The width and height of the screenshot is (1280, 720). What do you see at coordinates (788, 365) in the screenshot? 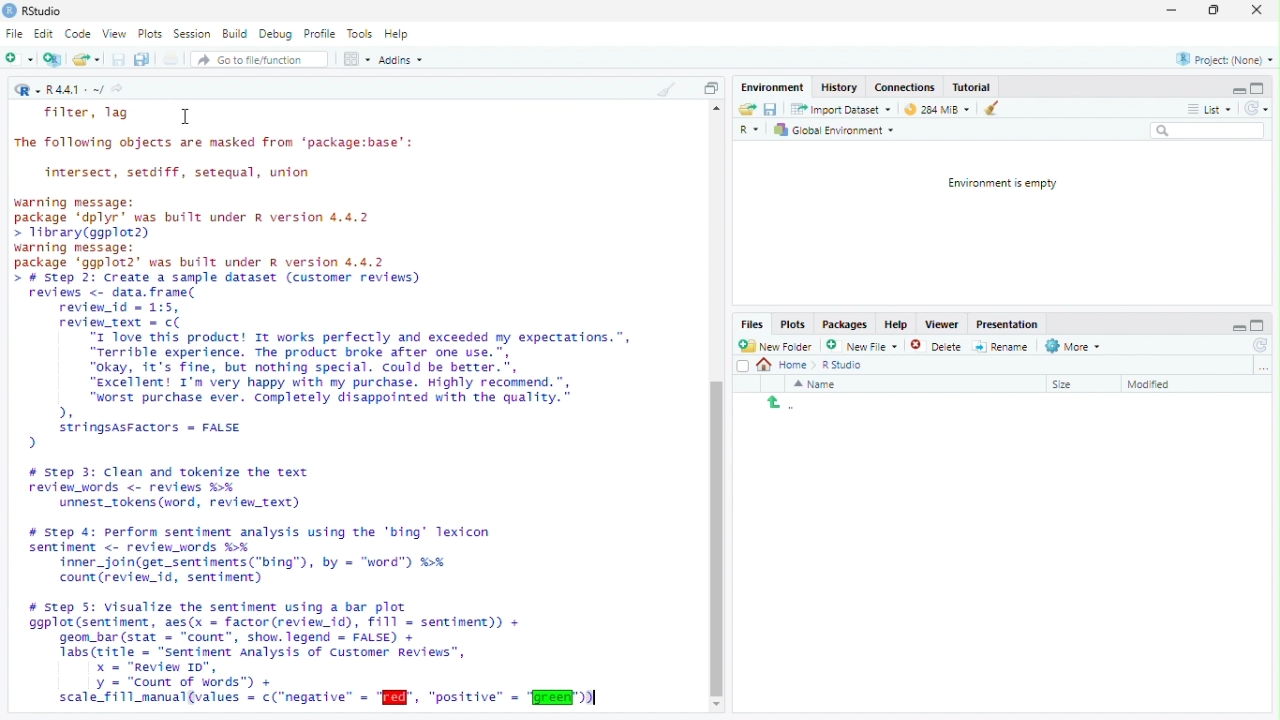
I see `Home` at bounding box center [788, 365].